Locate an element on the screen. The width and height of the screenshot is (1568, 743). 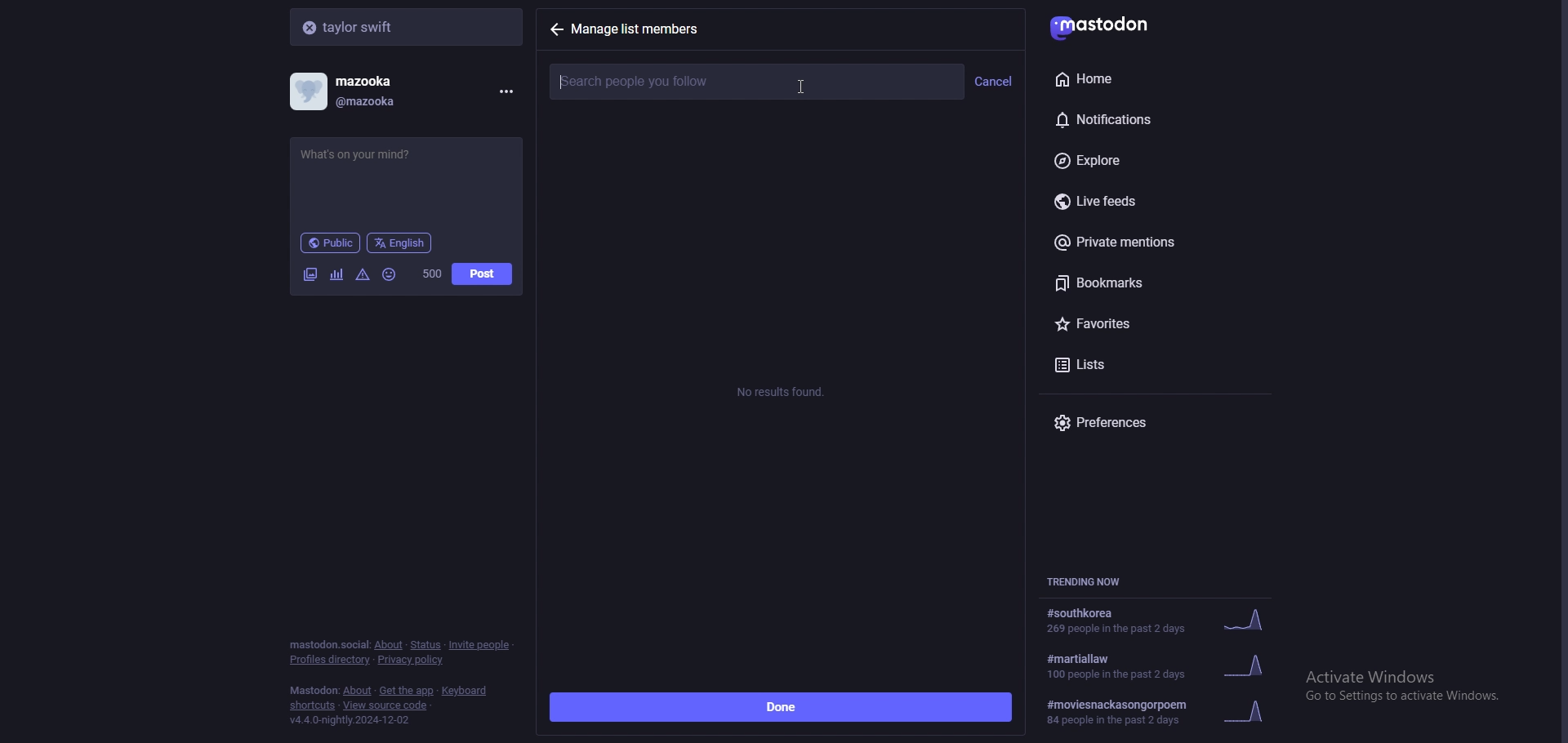
favourites is located at coordinates (1141, 321).